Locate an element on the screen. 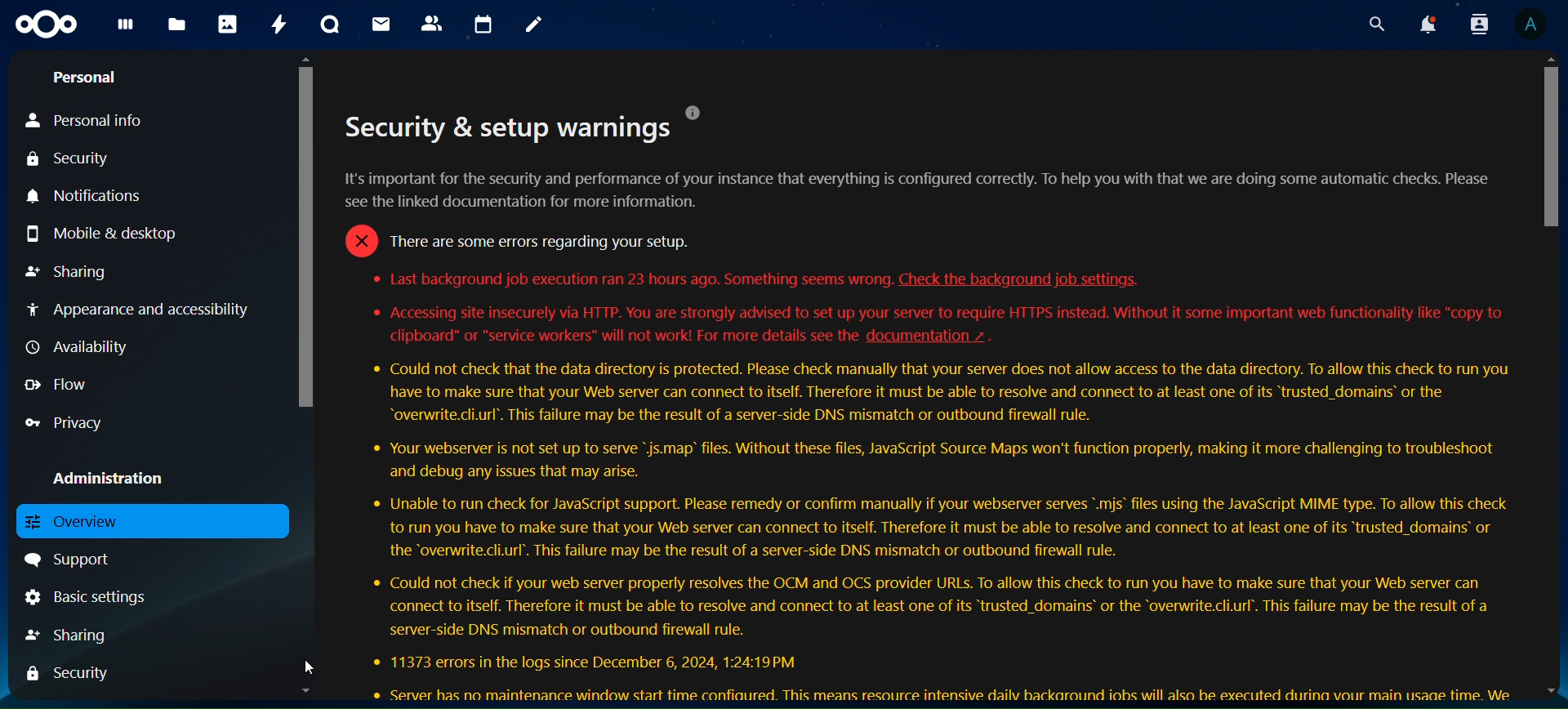  security is located at coordinates (68, 672).